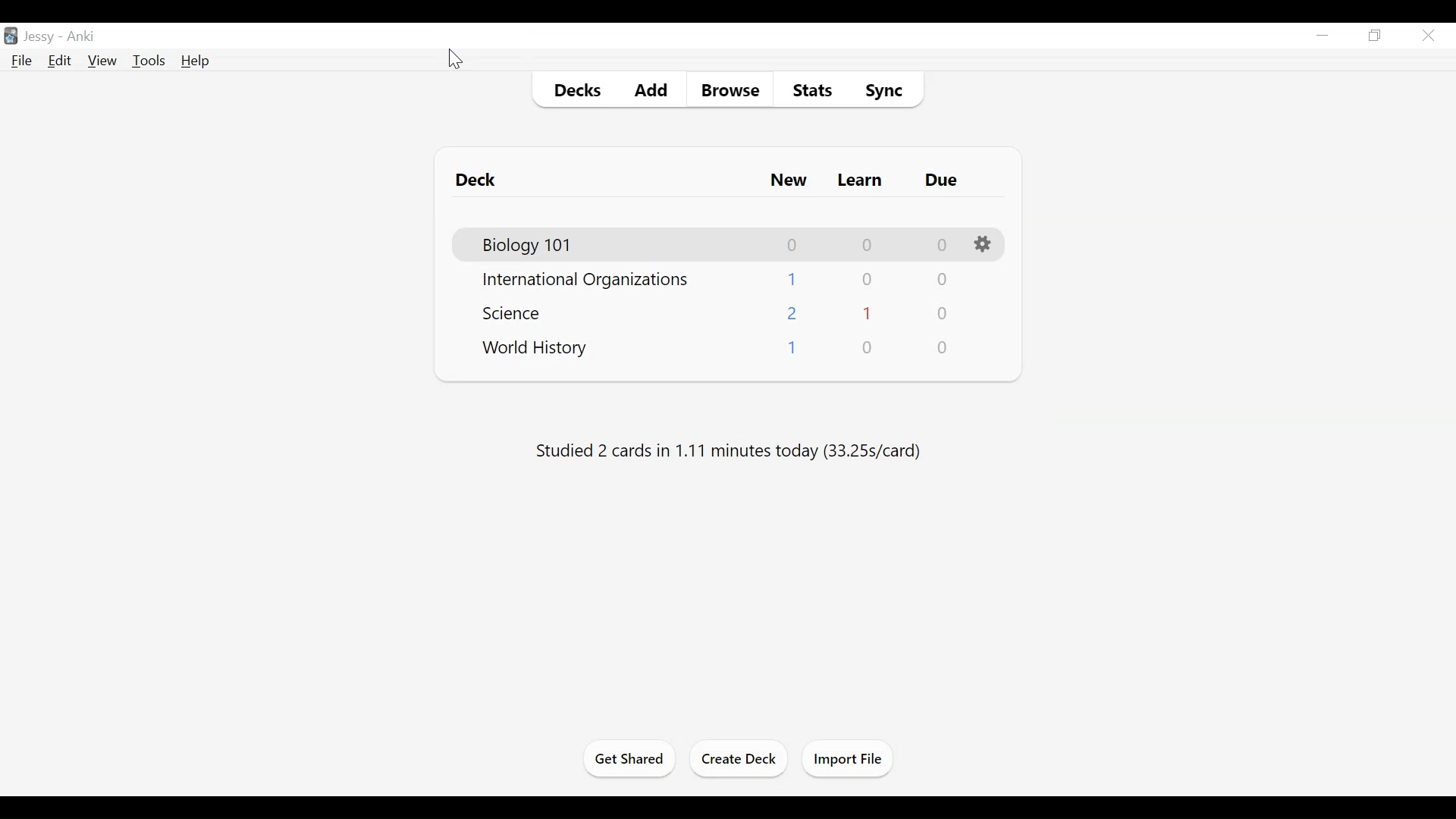 The height and width of the screenshot is (819, 1456). Describe the element at coordinates (984, 244) in the screenshot. I see `Options` at that location.